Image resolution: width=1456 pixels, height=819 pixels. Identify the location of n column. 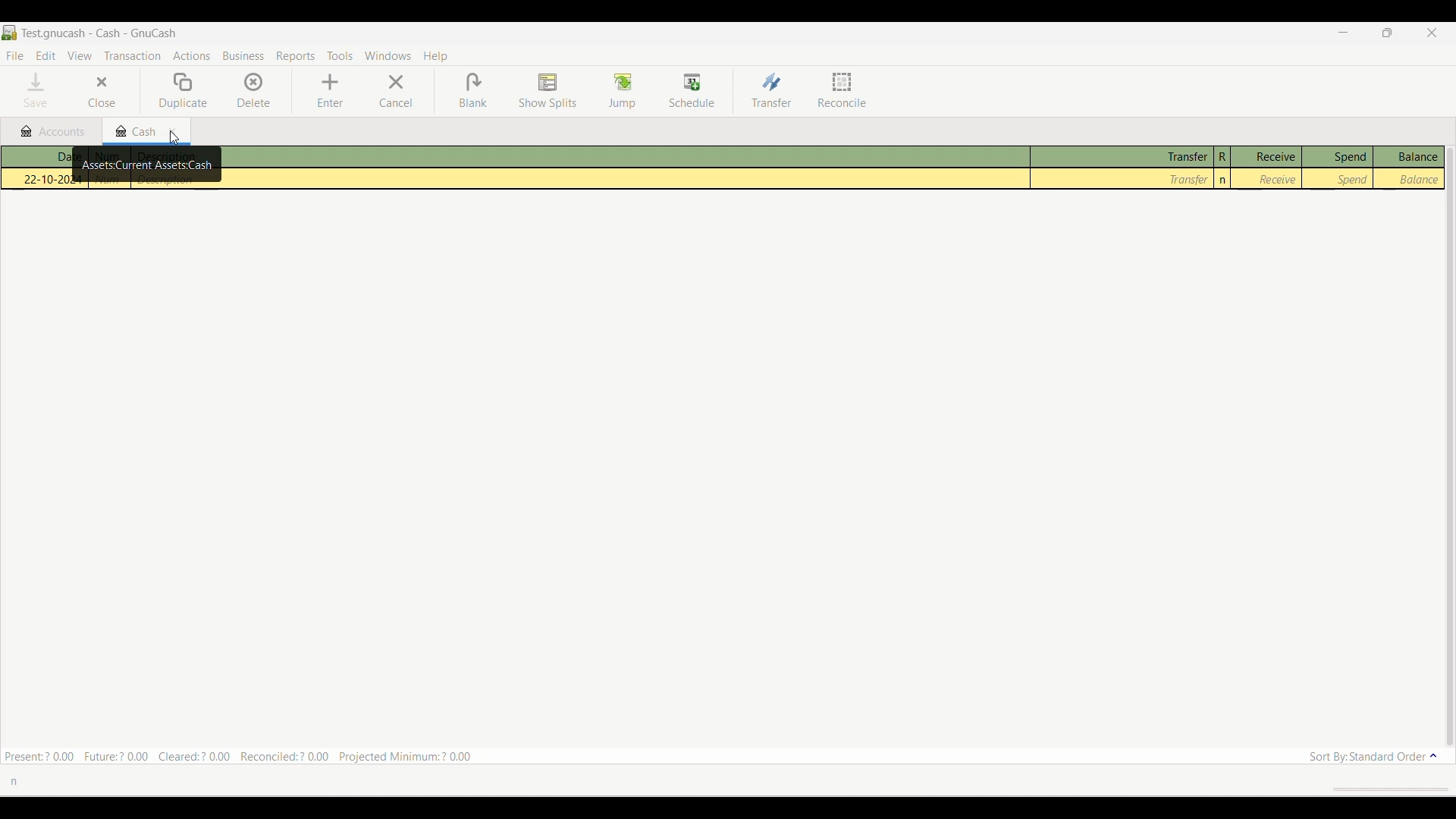
(1224, 180).